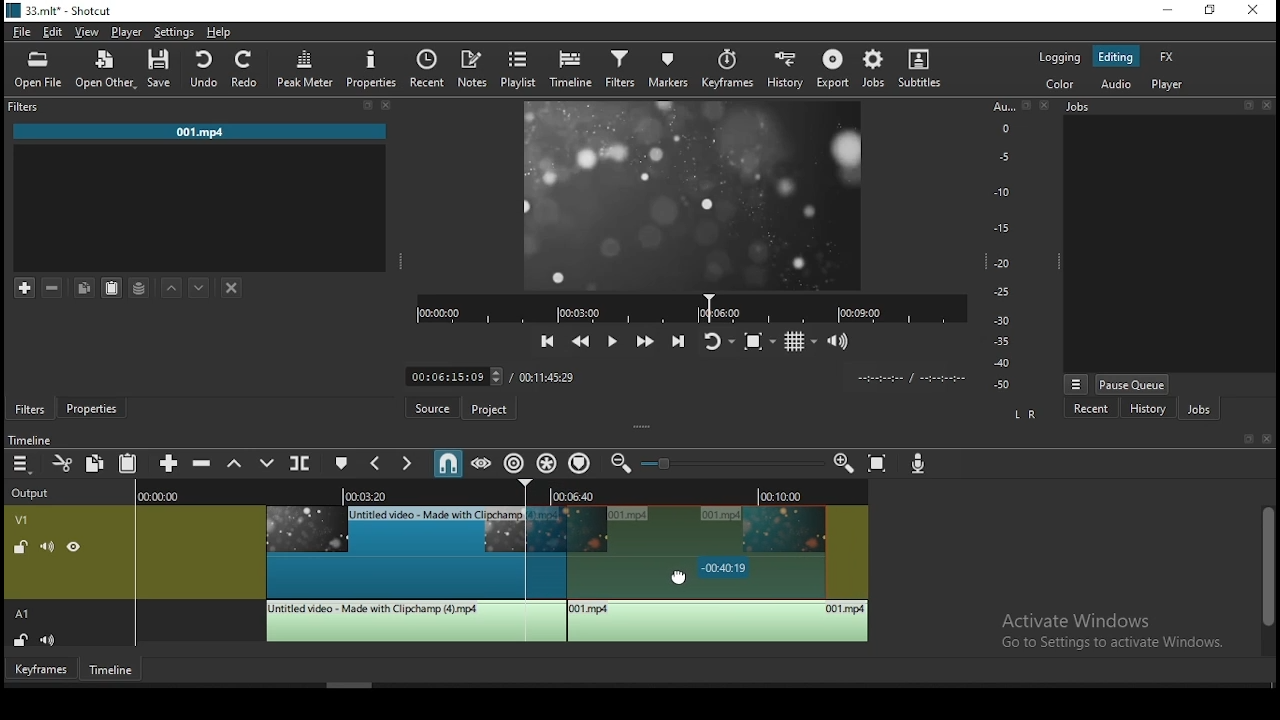 Image resolution: width=1280 pixels, height=720 pixels. Describe the element at coordinates (501, 494) in the screenshot. I see `timestamps` at that location.